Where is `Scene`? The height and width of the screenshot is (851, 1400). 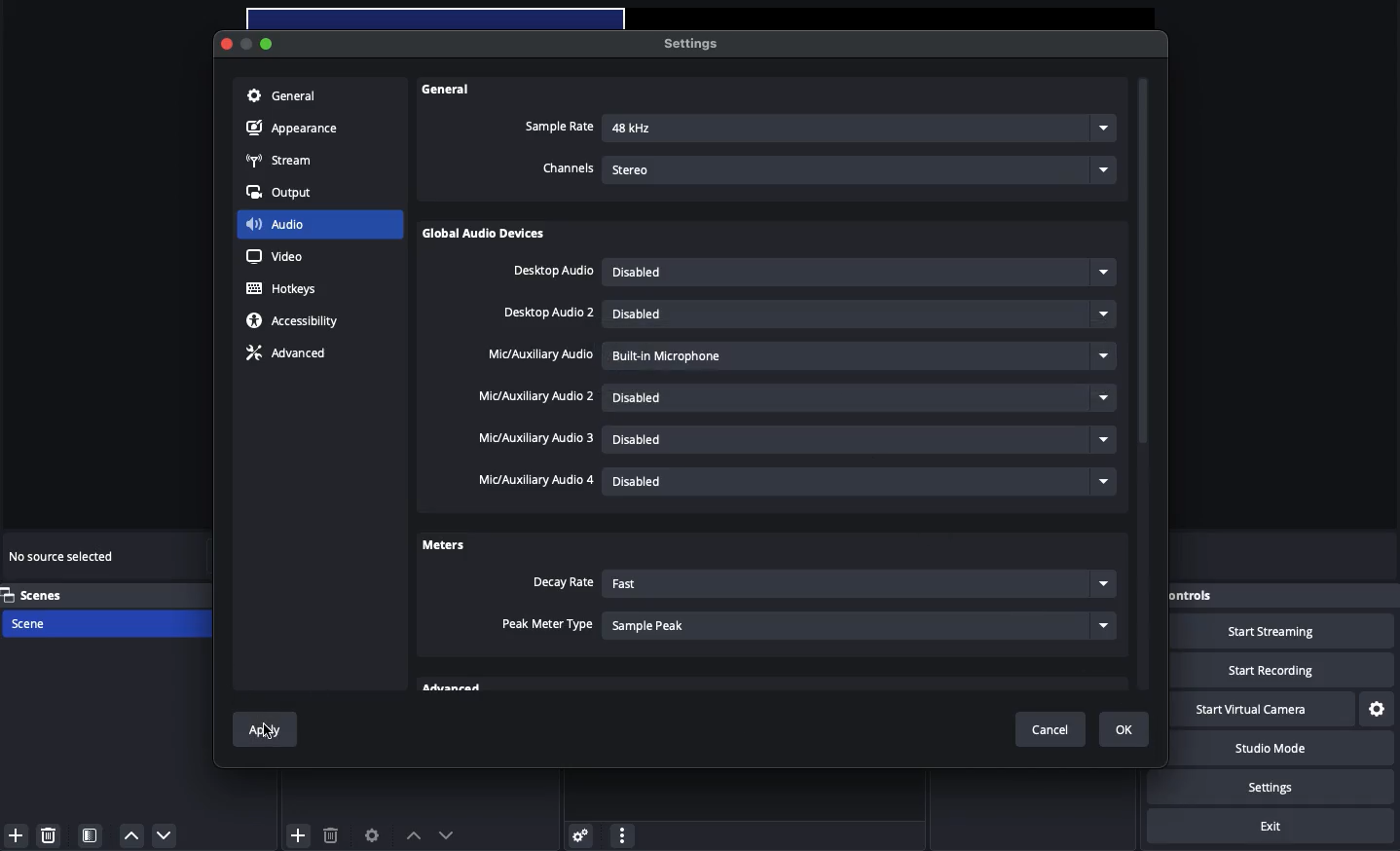 Scene is located at coordinates (51, 624).